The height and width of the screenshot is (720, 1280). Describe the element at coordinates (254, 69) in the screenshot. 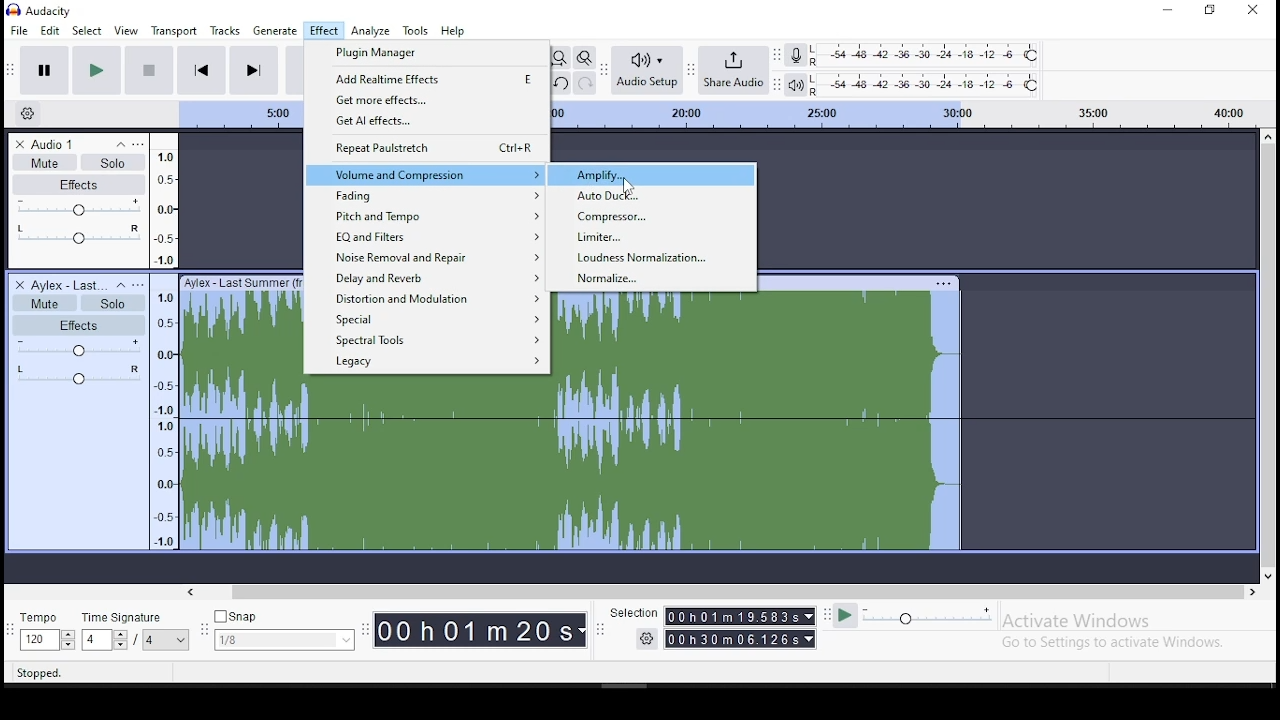

I see `skip to end` at that location.